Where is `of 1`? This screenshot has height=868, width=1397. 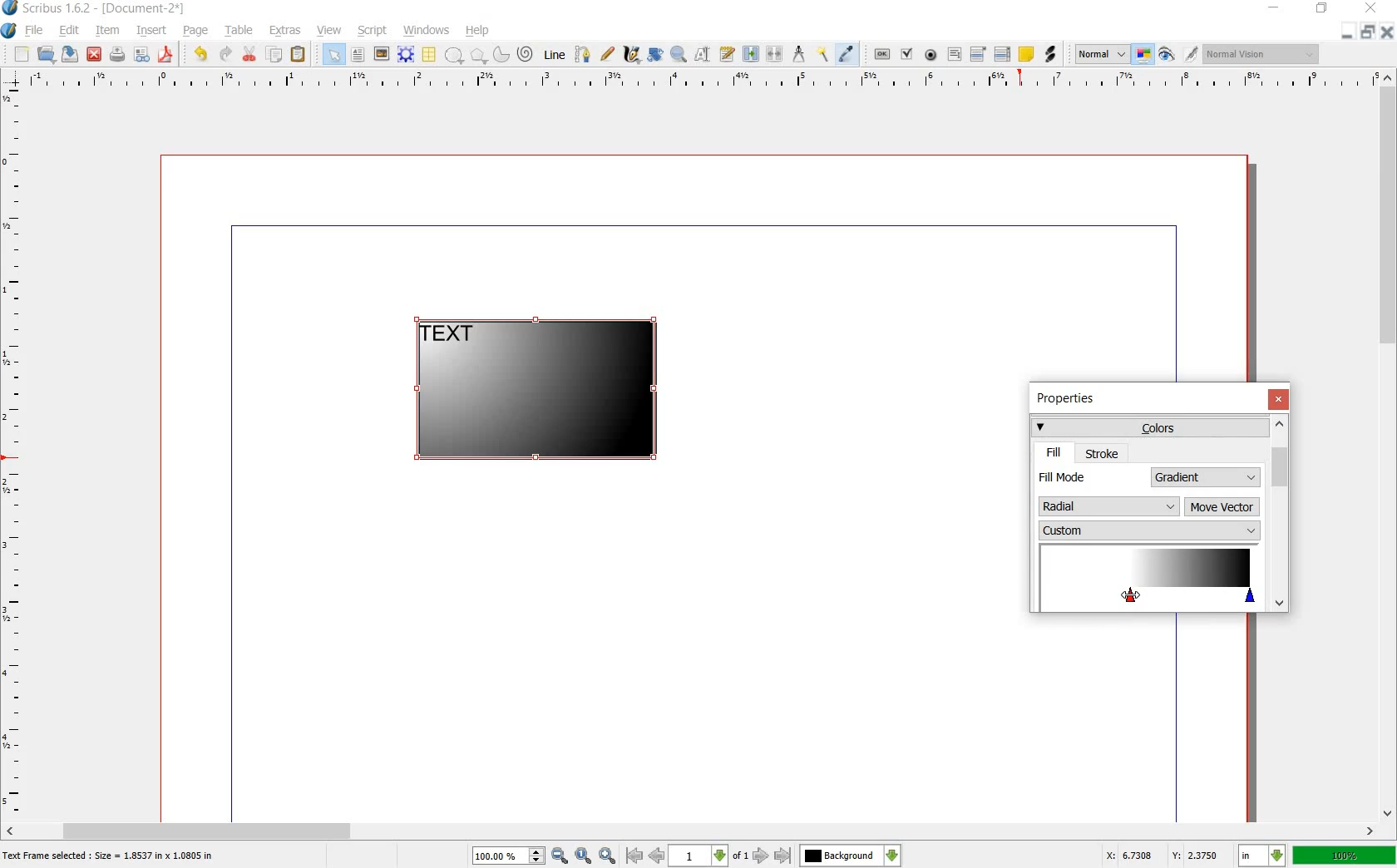
of 1 is located at coordinates (739, 857).